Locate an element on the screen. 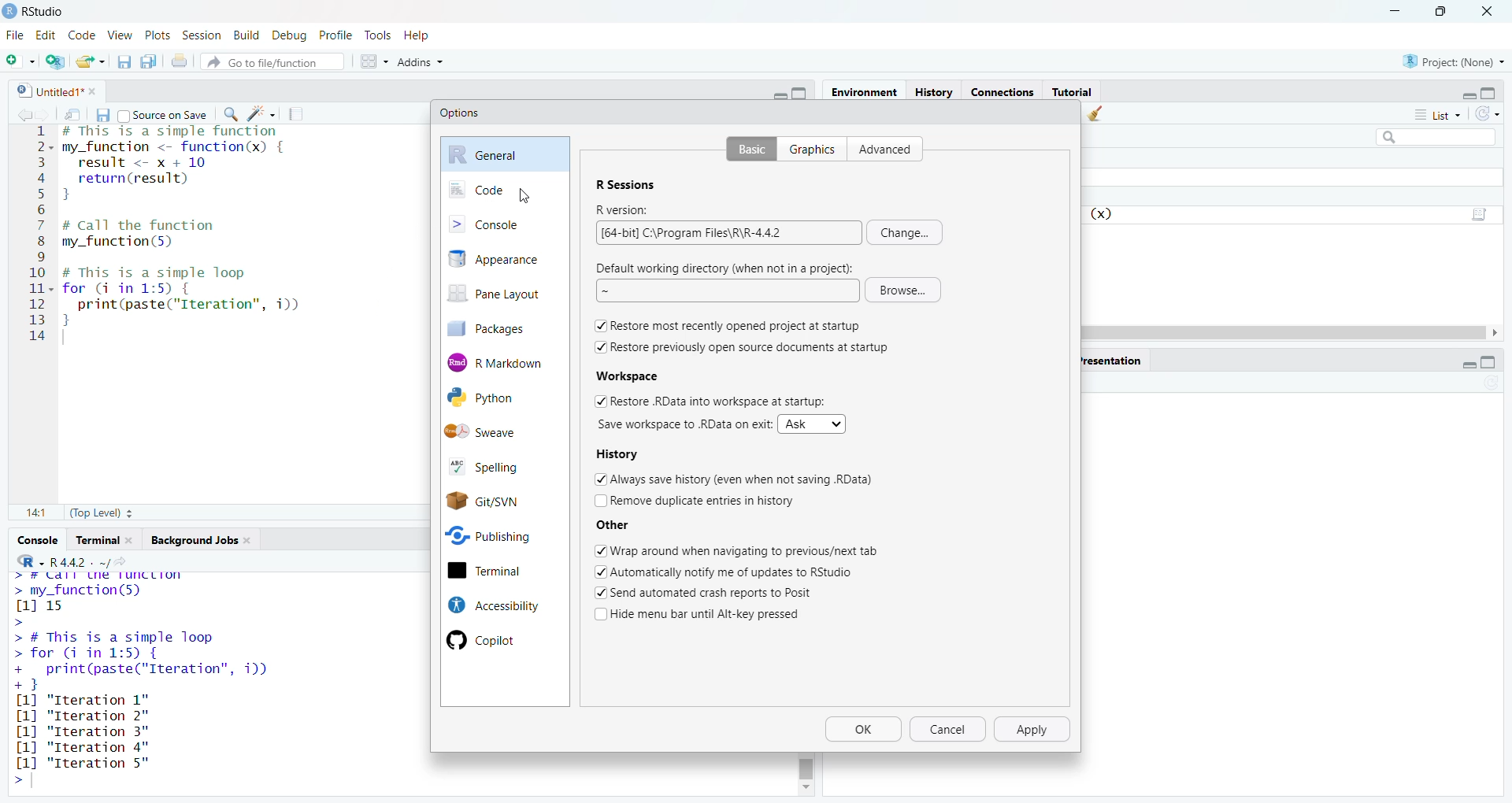  code to call the function is located at coordinates (175, 235).